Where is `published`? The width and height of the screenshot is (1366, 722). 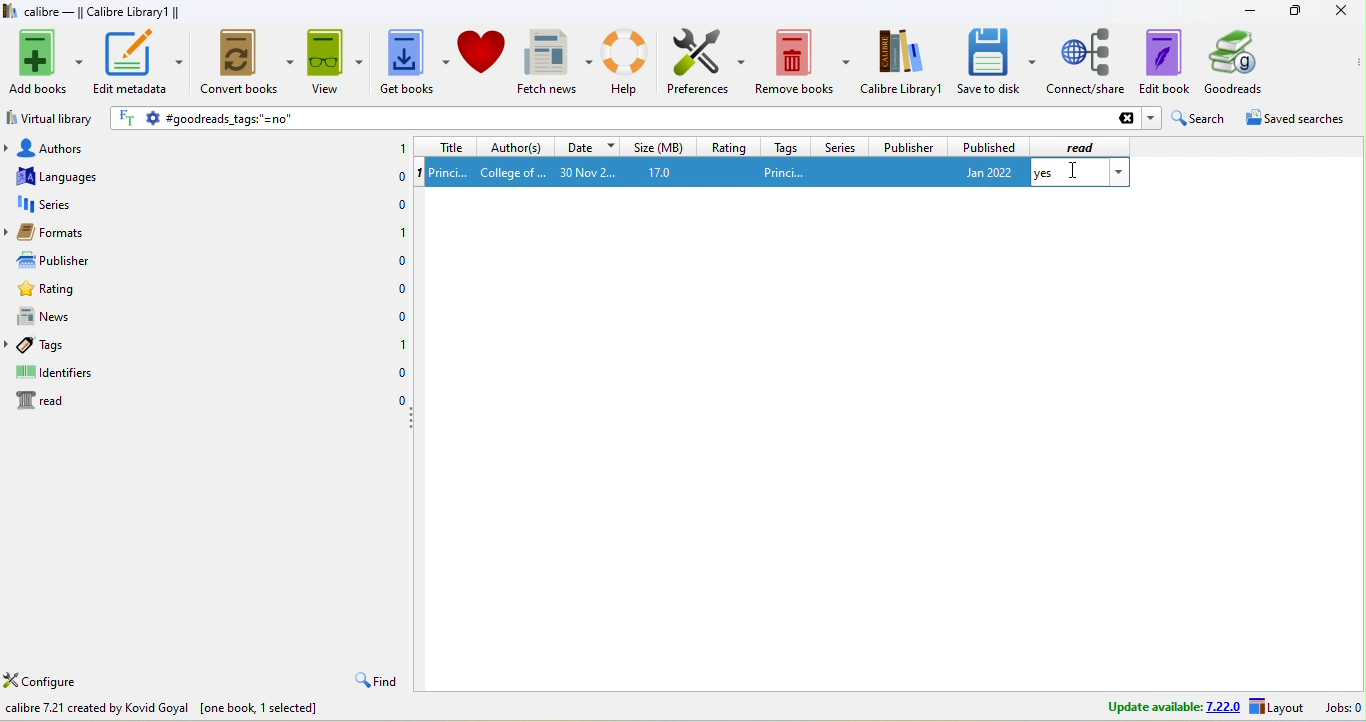
published is located at coordinates (988, 146).